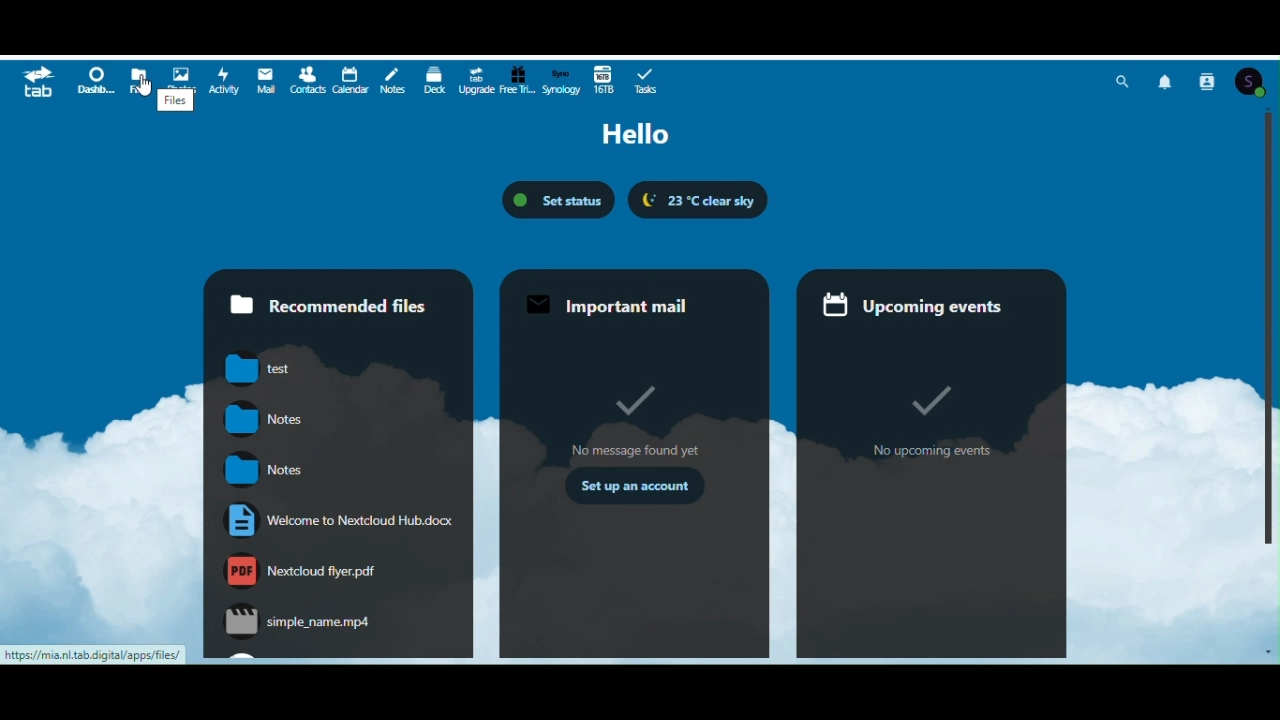 Image resolution: width=1280 pixels, height=720 pixels. I want to click on files, so click(177, 101).